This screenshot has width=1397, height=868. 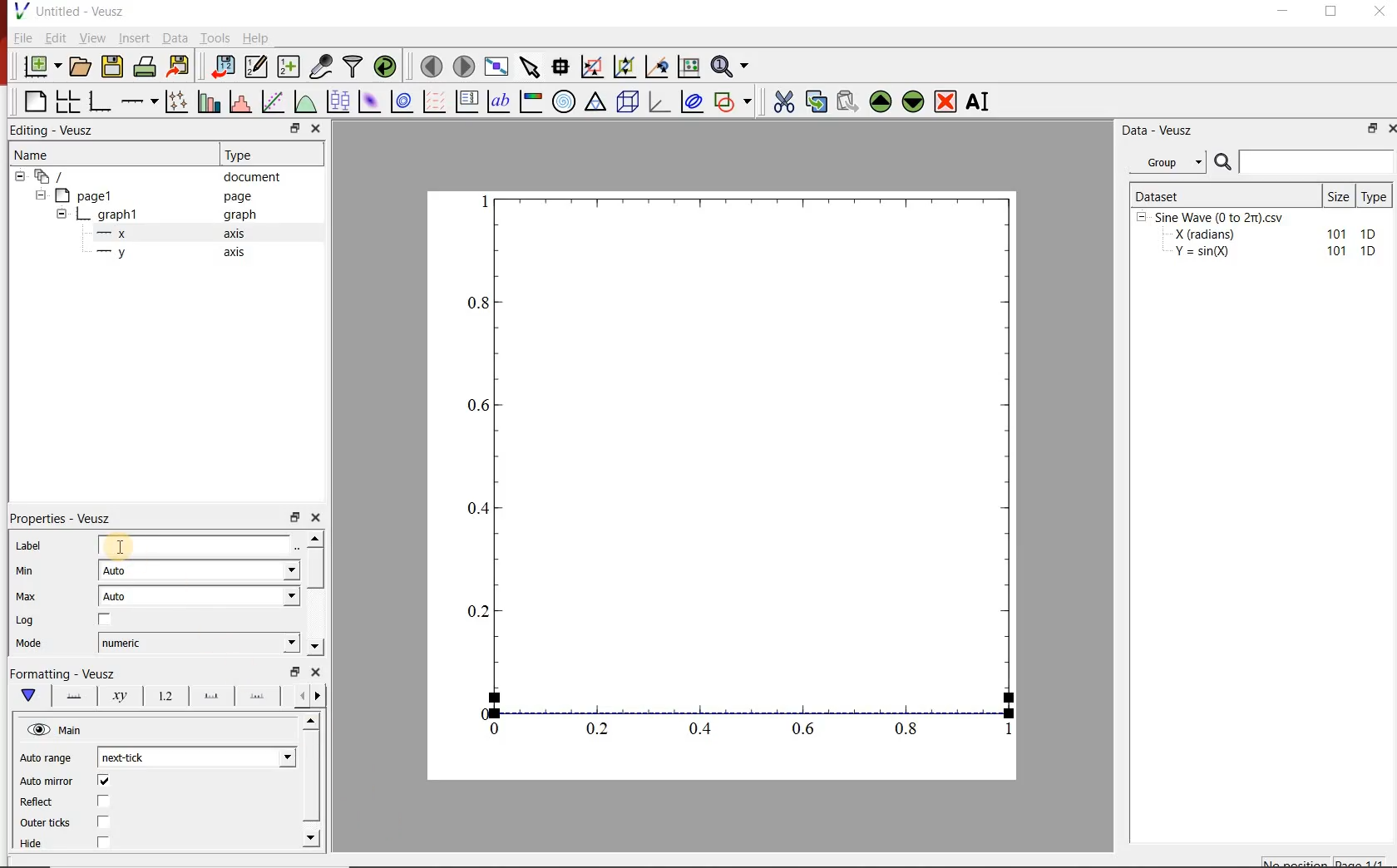 I want to click on plot a vector field, so click(x=435, y=101).